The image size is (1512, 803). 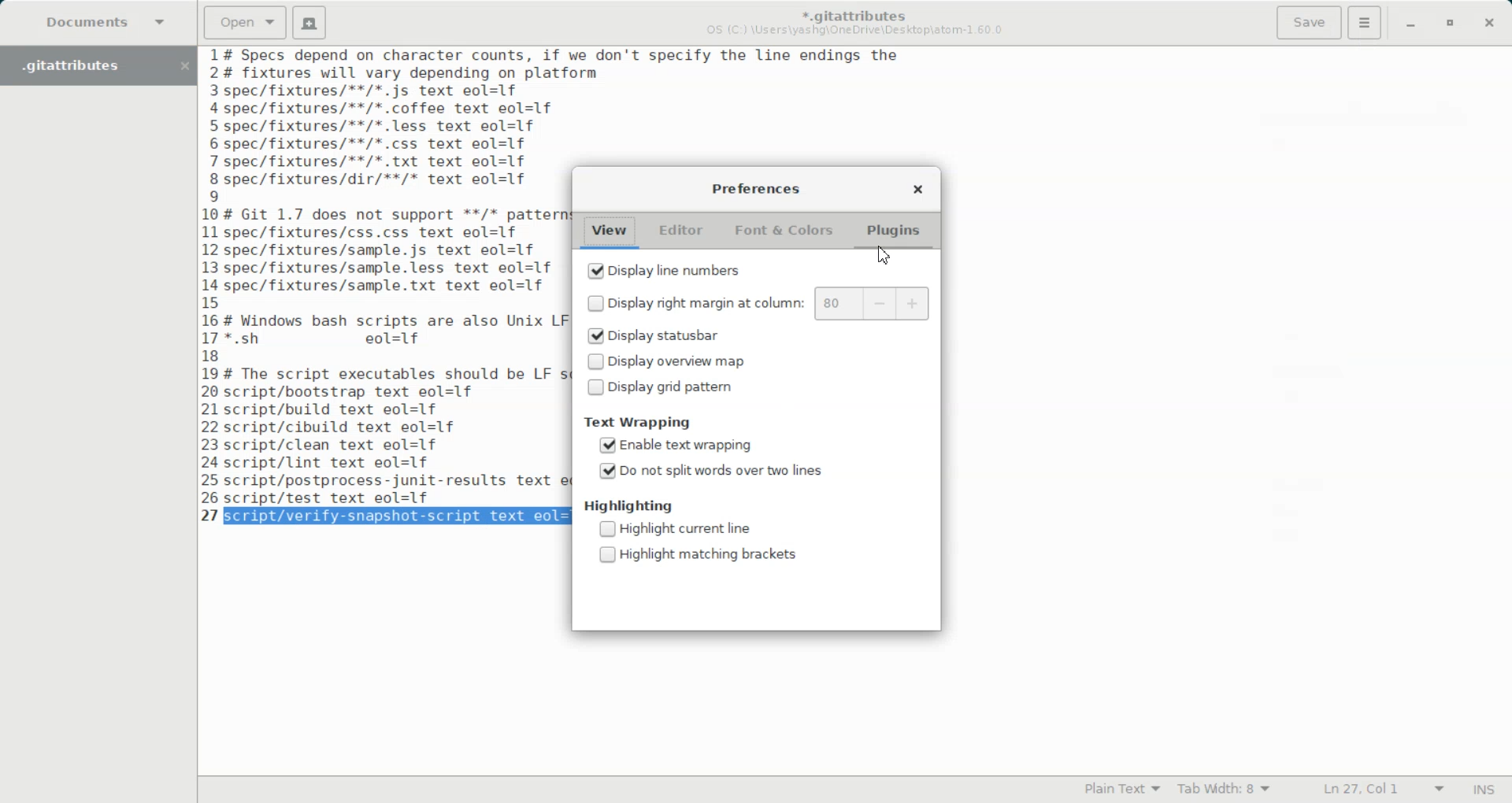 I want to click on script/verify-snapshot-script text eol=lf, so click(x=392, y=516).